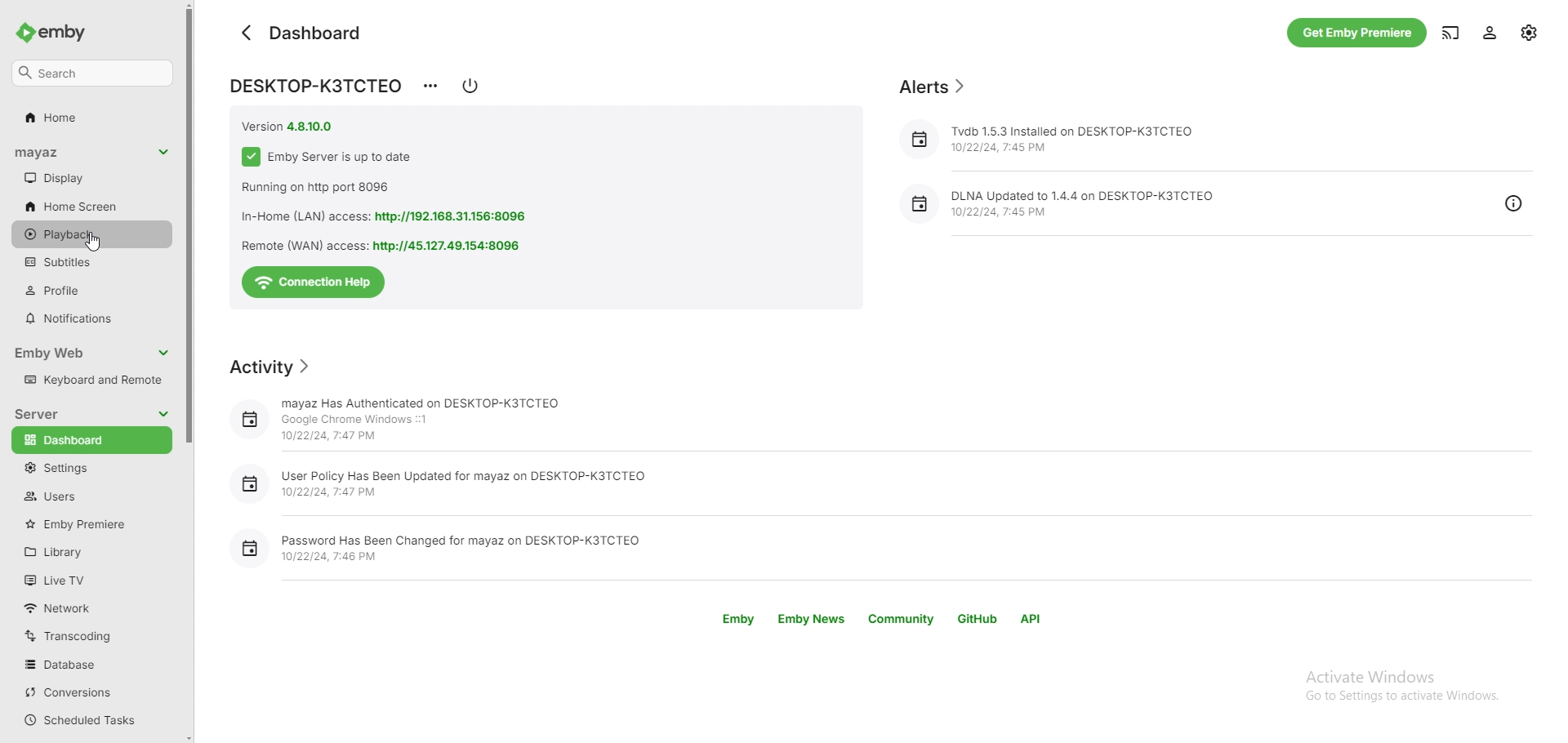 The width and height of the screenshot is (1568, 743). I want to click on emby, so click(738, 620).